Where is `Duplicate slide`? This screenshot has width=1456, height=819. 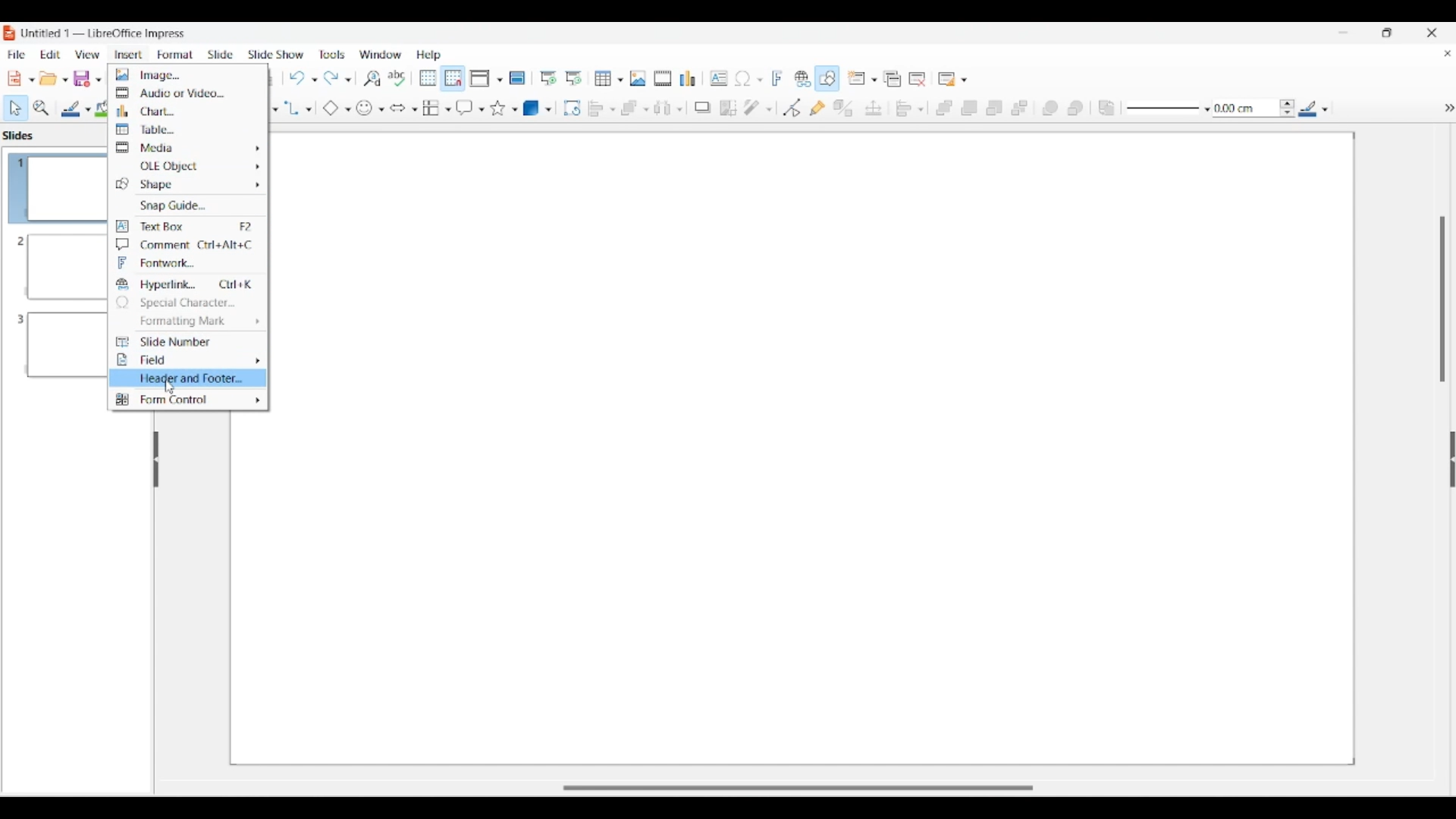 Duplicate slide is located at coordinates (893, 79).